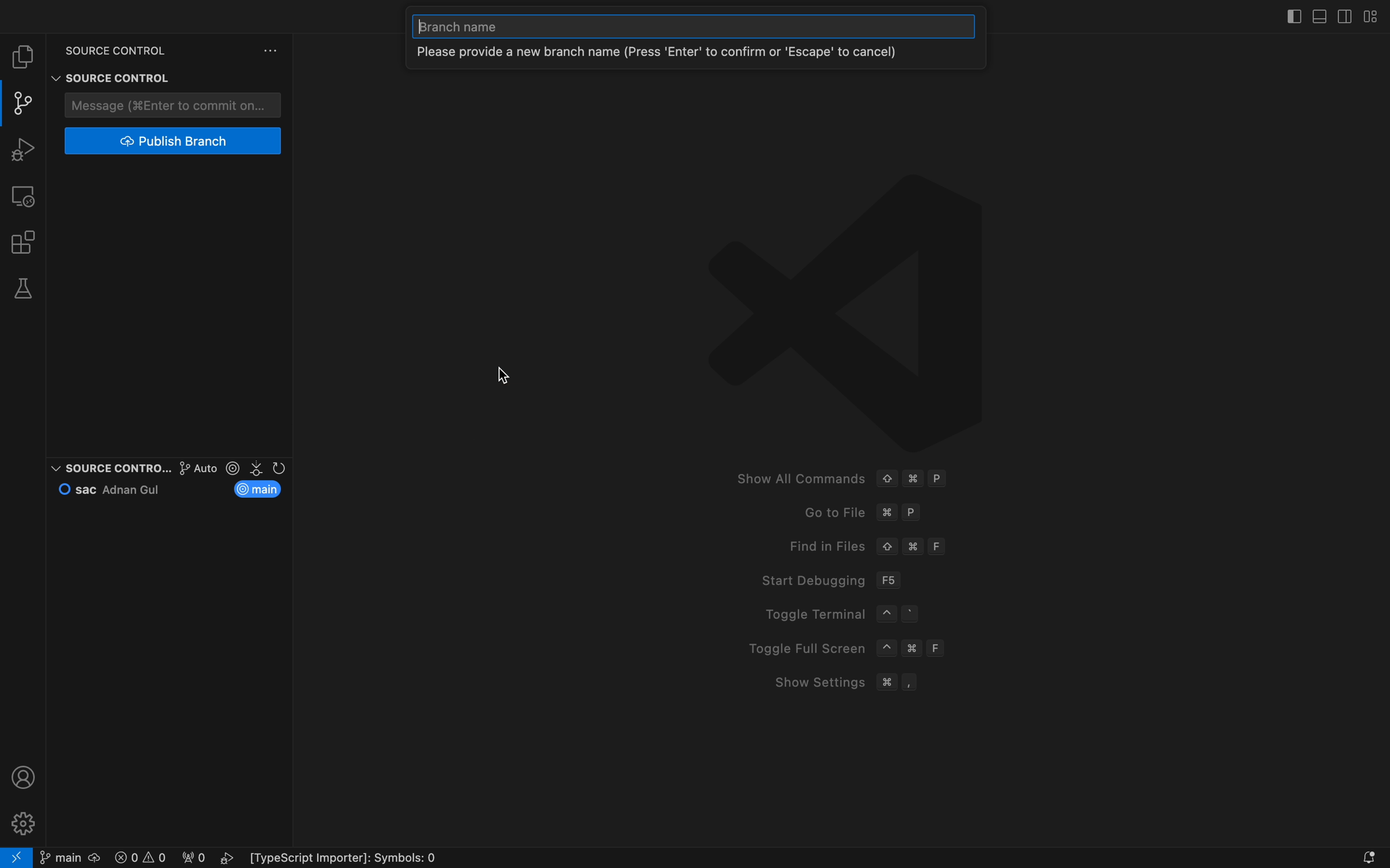 This screenshot has width=1390, height=868. What do you see at coordinates (696, 29) in the screenshot?
I see `brabch name text box` at bounding box center [696, 29].